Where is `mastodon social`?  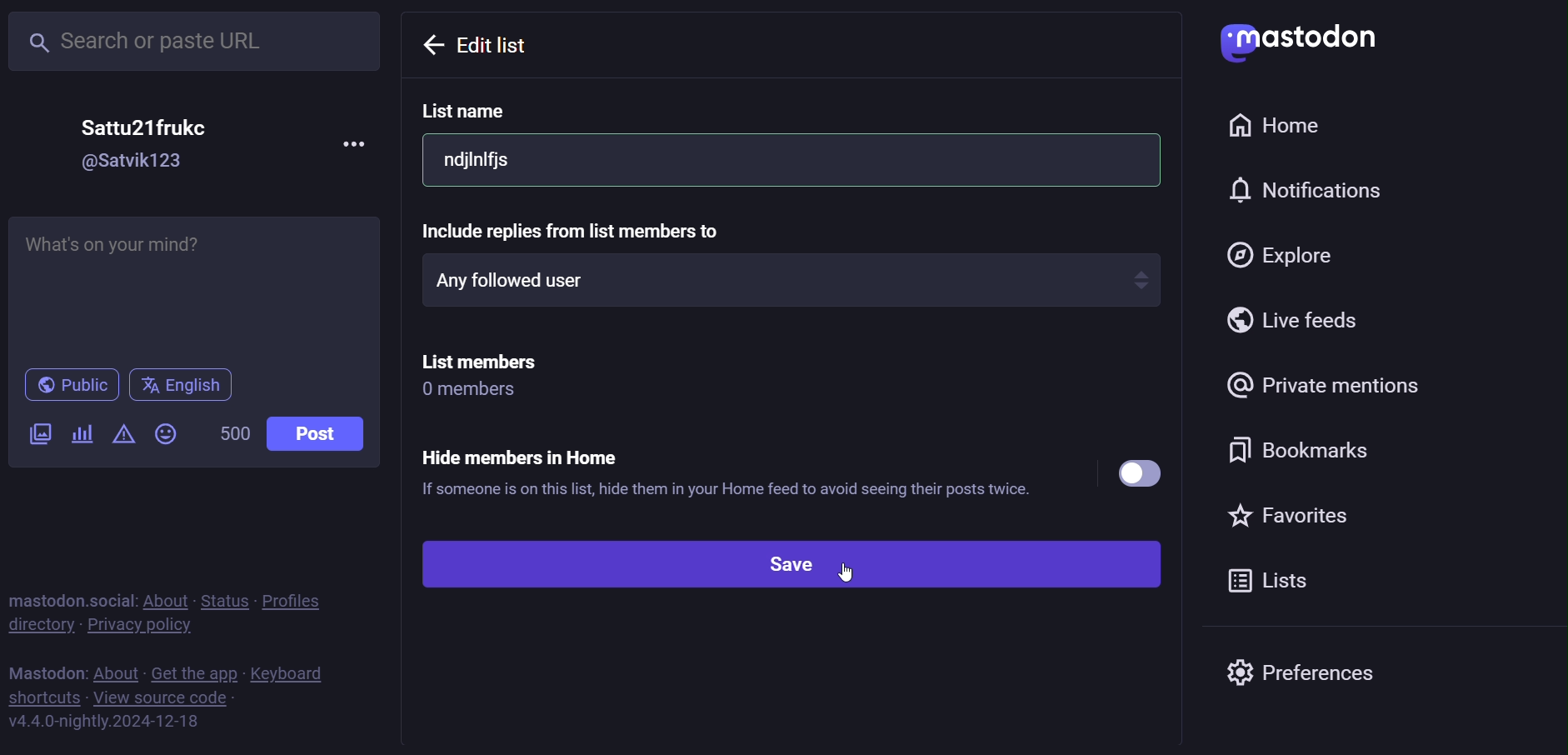
mastodon social is located at coordinates (71, 597).